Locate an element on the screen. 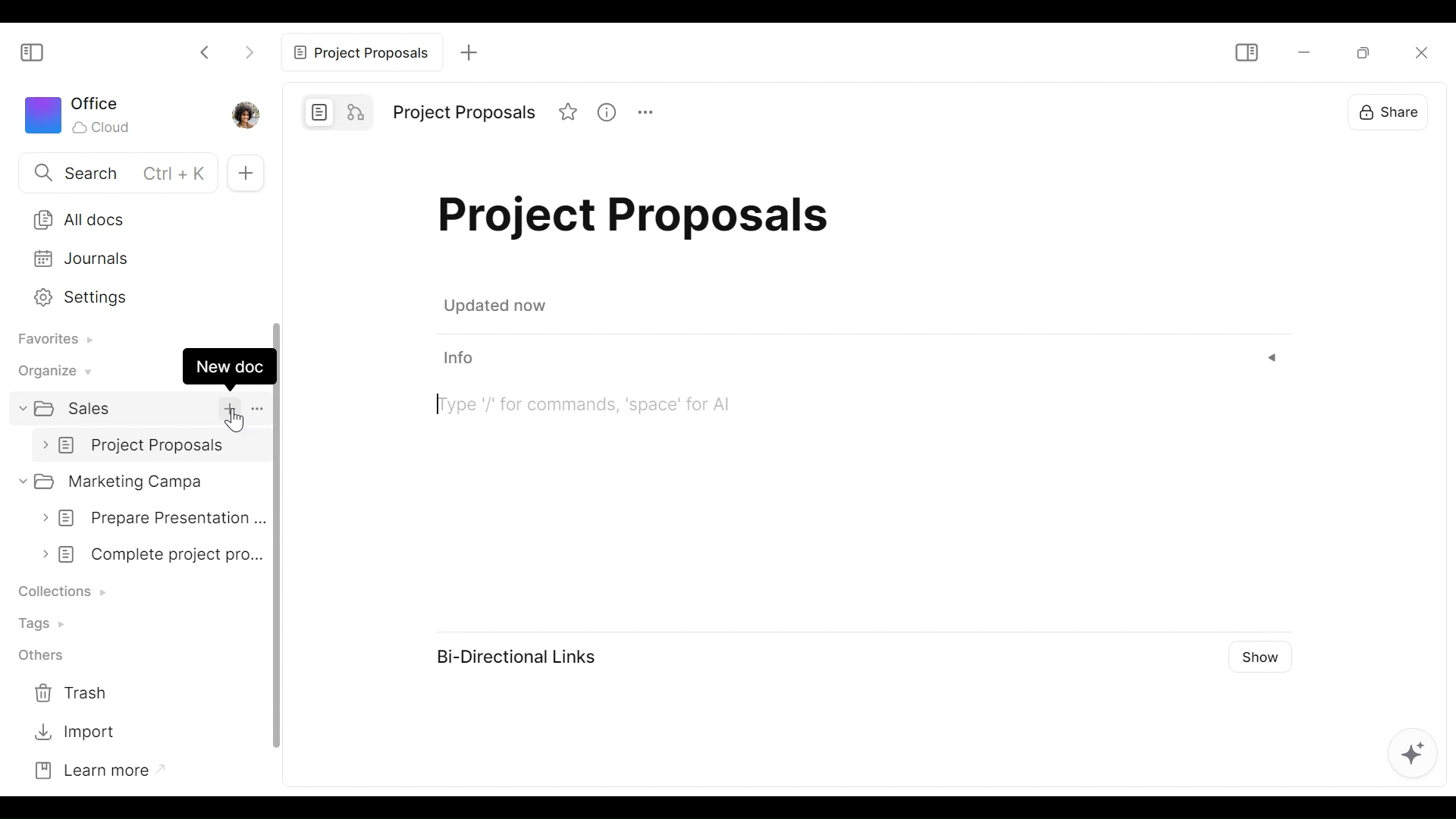 The height and width of the screenshot is (819, 1456). info is located at coordinates (864, 356).